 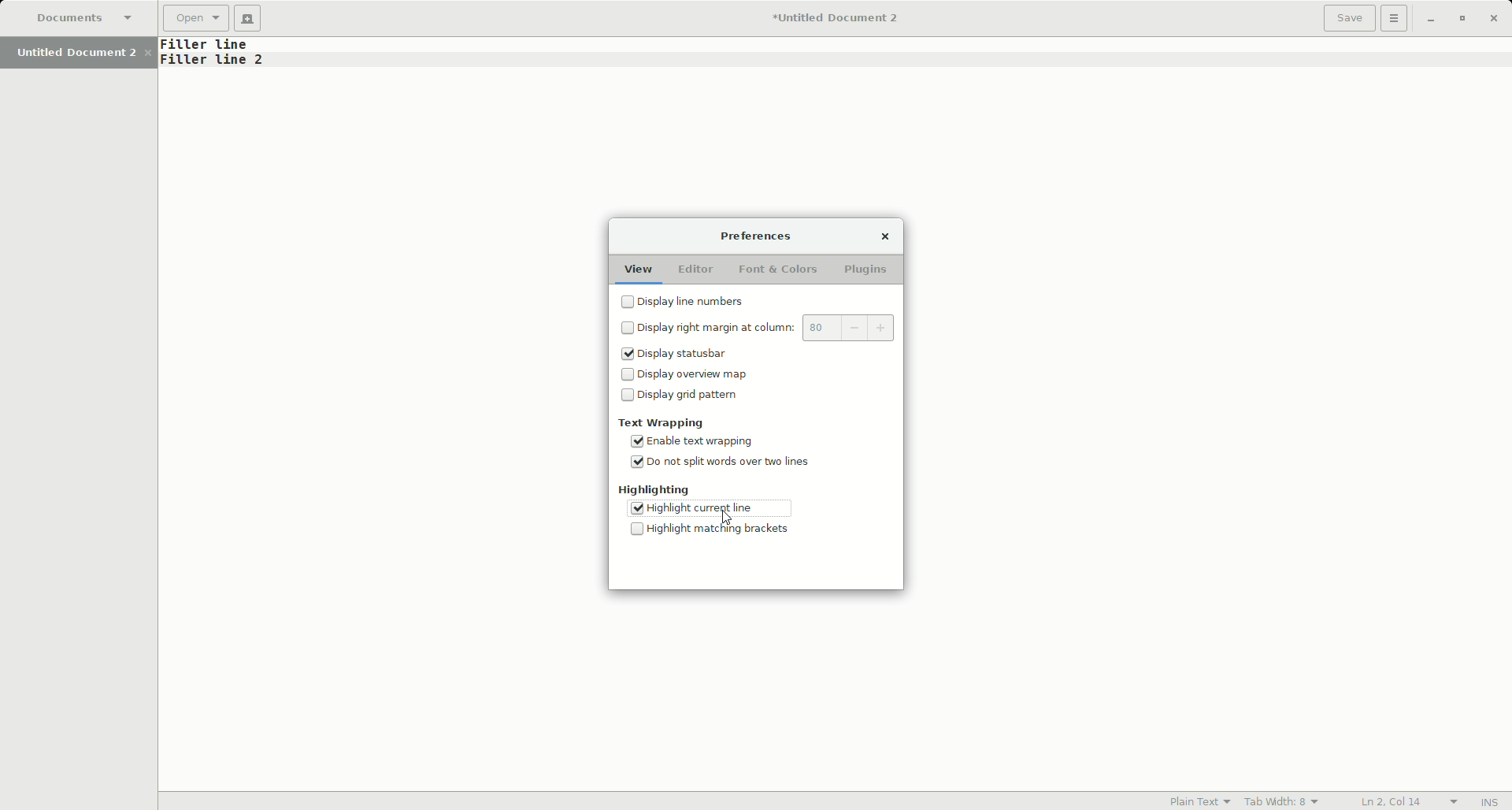 I want to click on Display line numbers, so click(x=690, y=303).